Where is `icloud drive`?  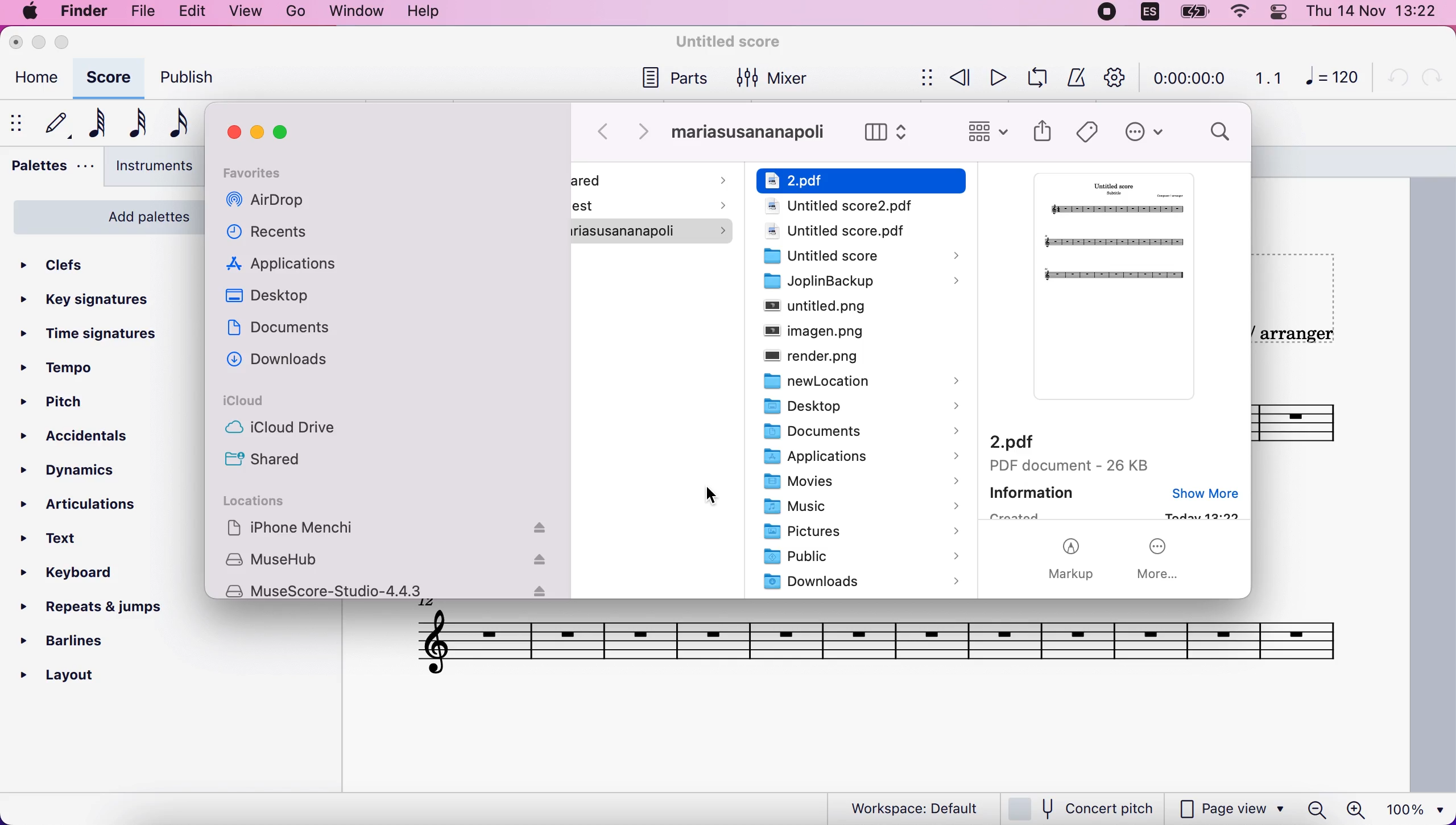
icloud drive is located at coordinates (292, 431).